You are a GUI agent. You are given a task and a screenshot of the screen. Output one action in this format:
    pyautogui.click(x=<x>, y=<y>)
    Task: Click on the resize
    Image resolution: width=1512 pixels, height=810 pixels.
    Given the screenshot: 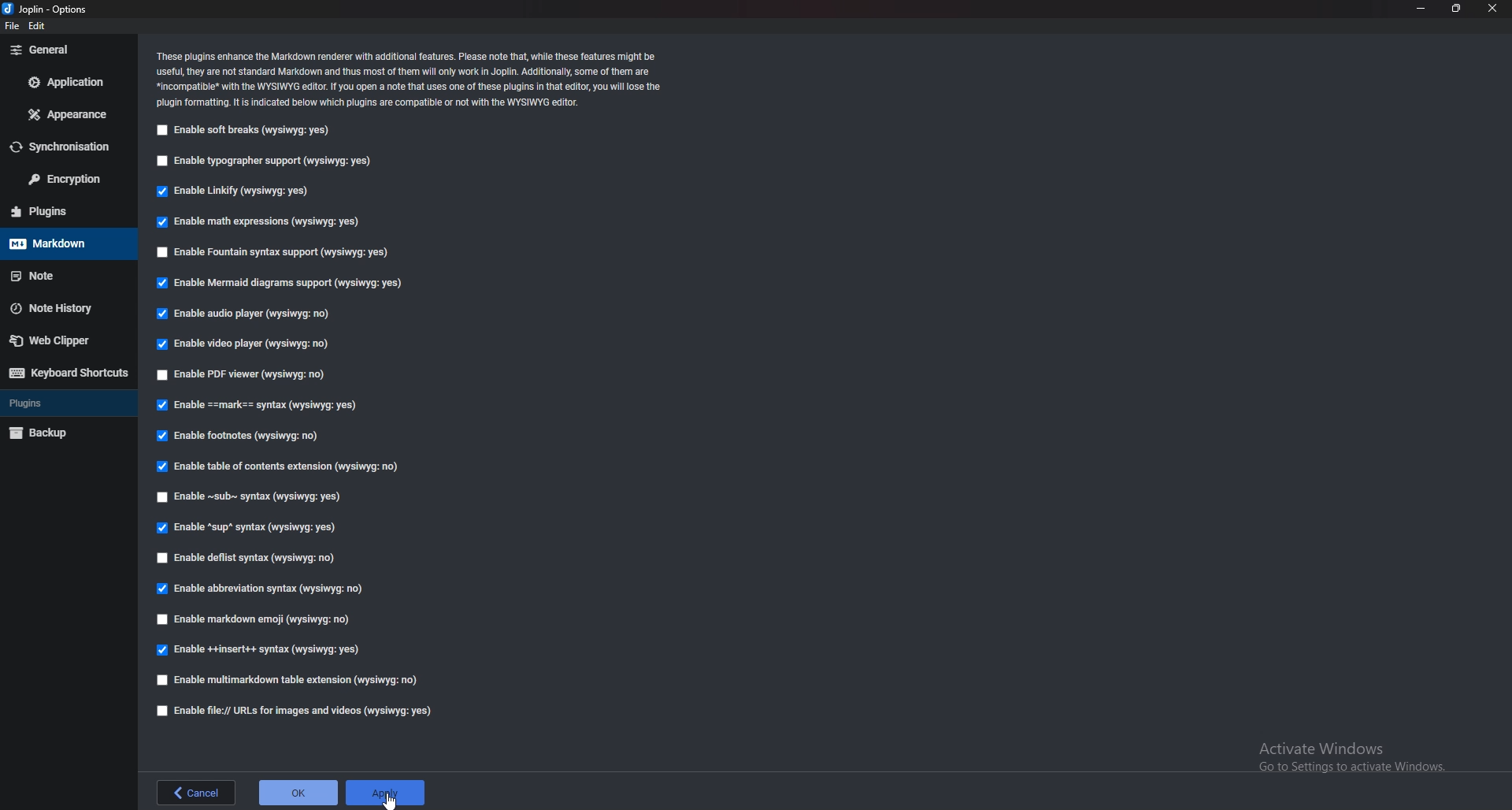 What is the action you would take?
    pyautogui.click(x=1456, y=9)
    